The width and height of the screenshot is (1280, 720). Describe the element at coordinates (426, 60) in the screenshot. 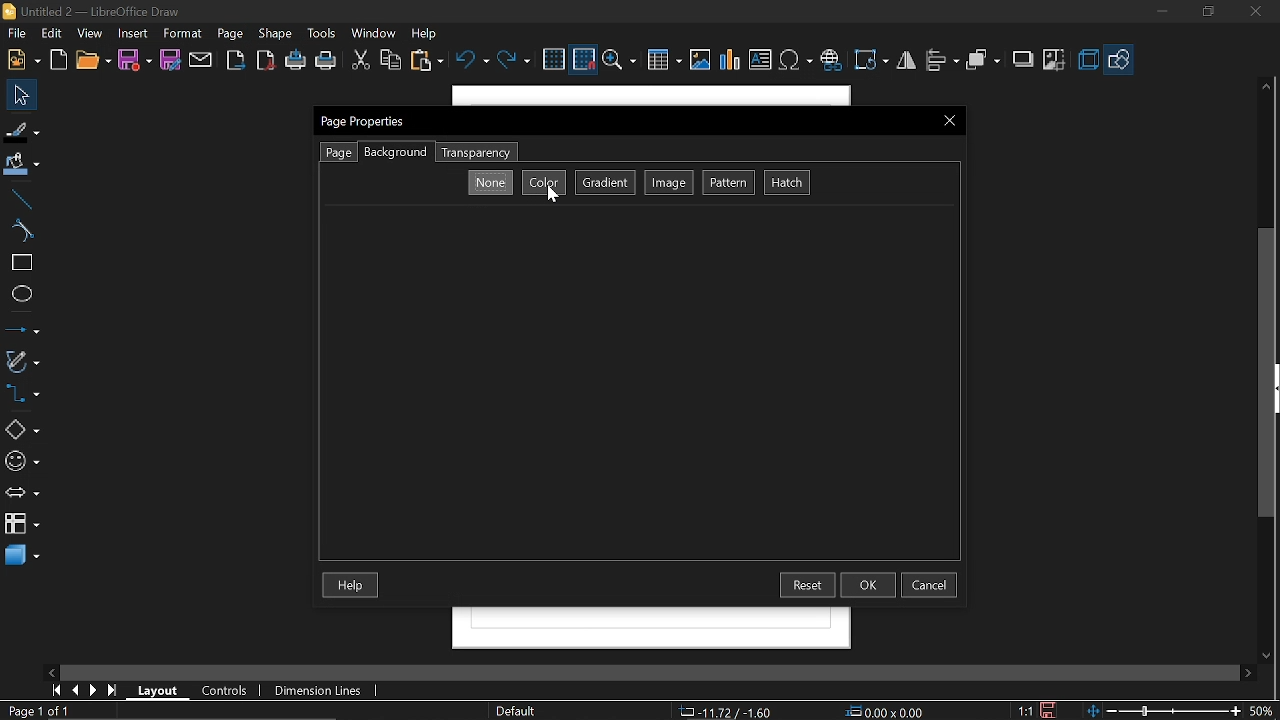

I see `Paste` at that location.